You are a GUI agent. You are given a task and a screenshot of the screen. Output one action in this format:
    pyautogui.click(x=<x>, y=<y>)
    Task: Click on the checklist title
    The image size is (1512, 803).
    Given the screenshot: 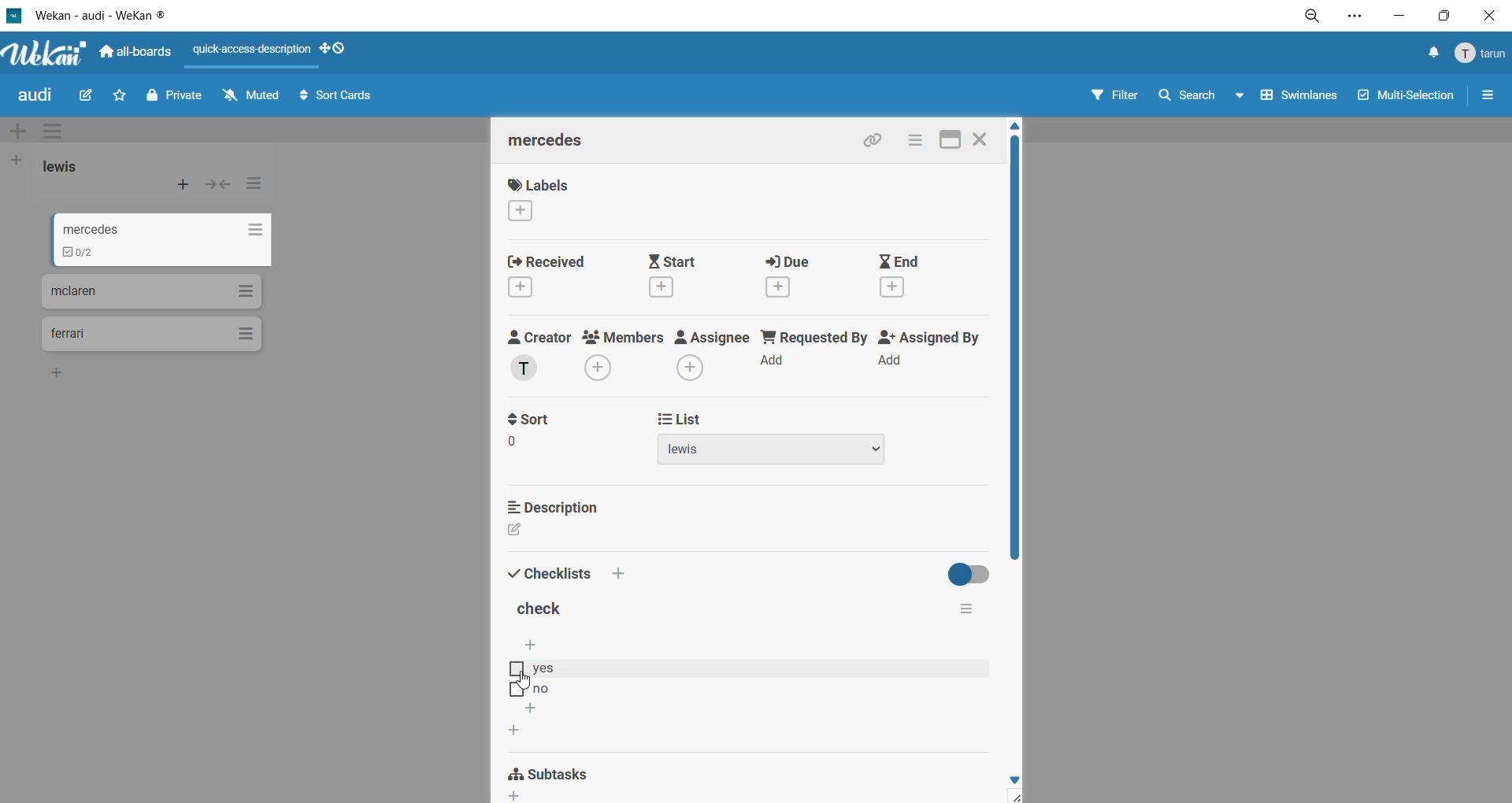 What is the action you would take?
    pyautogui.click(x=543, y=608)
    